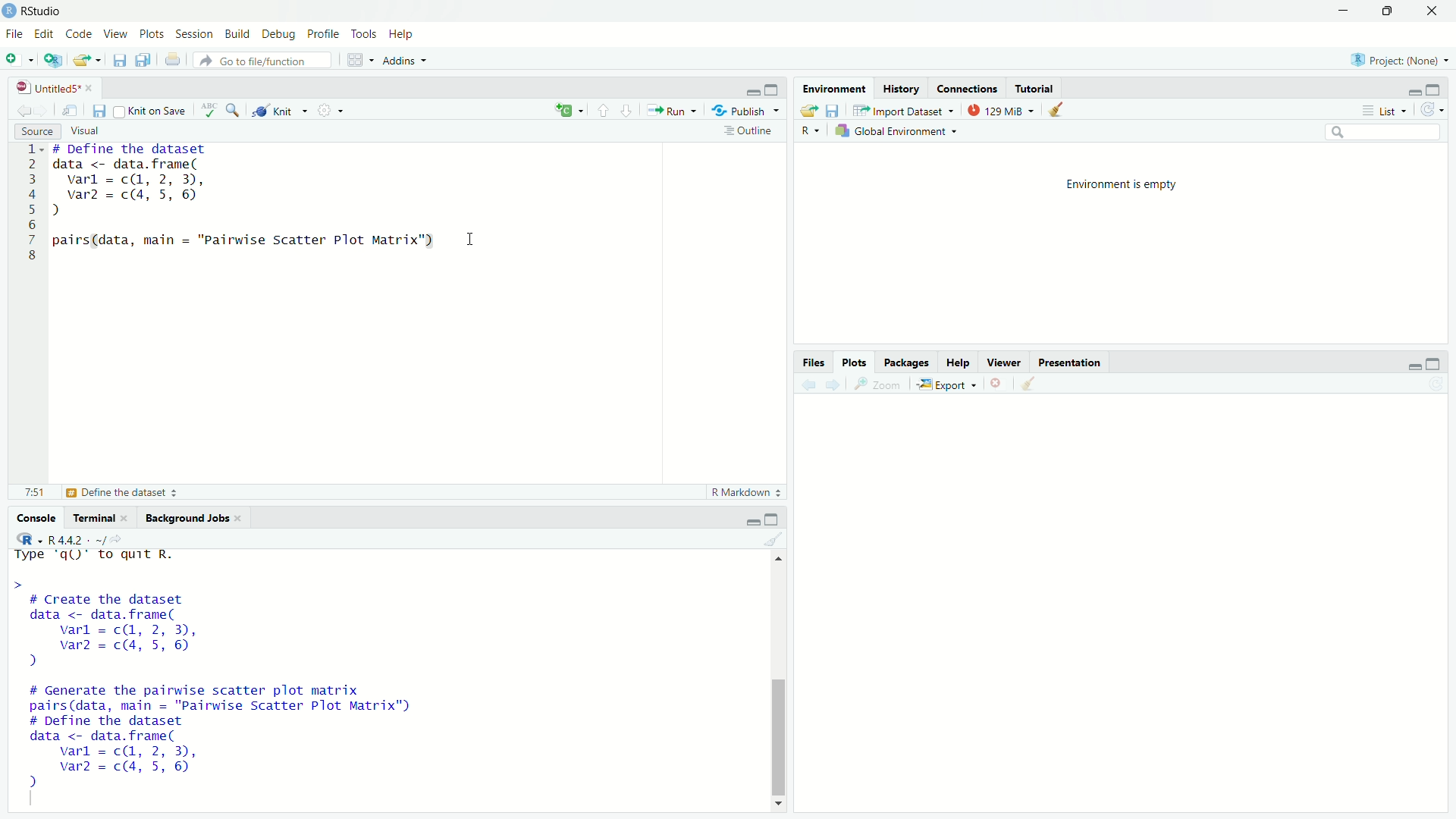 The image size is (1456, 819). What do you see at coordinates (73, 109) in the screenshot?
I see `Show in new window` at bounding box center [73, 109].